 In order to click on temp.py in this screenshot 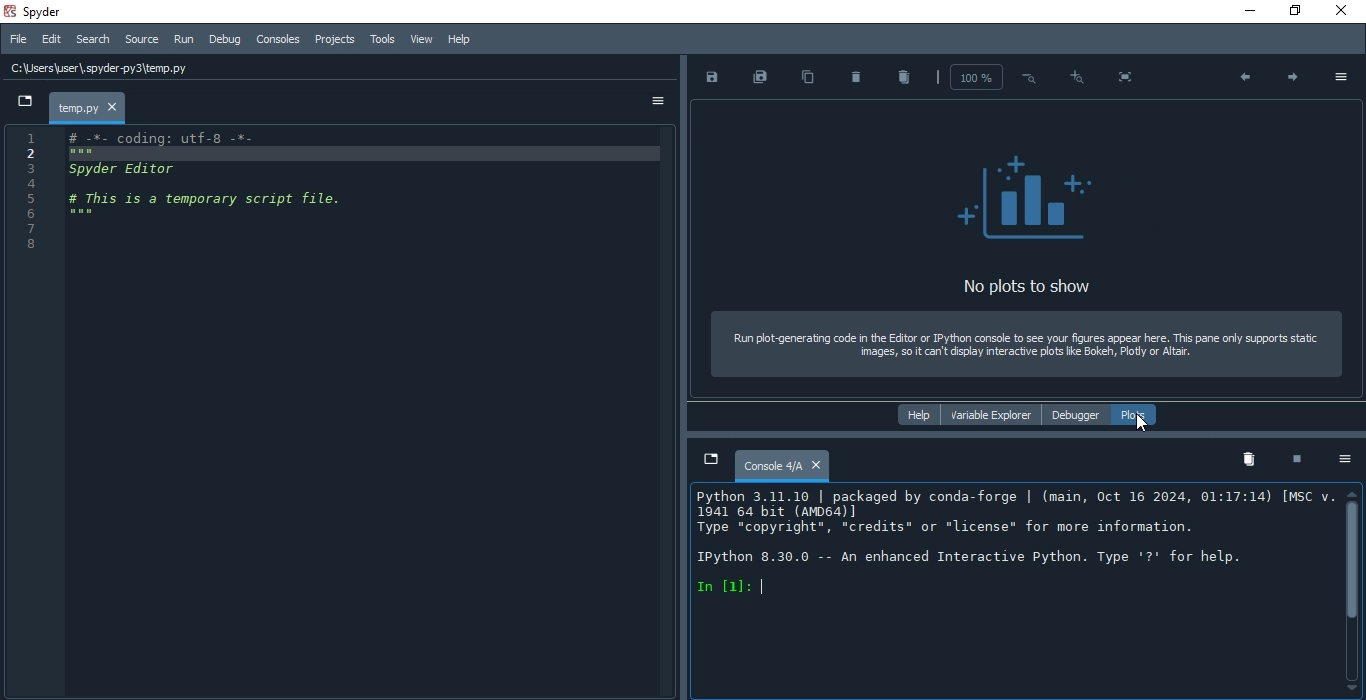, I will do `click(89, 107)`.